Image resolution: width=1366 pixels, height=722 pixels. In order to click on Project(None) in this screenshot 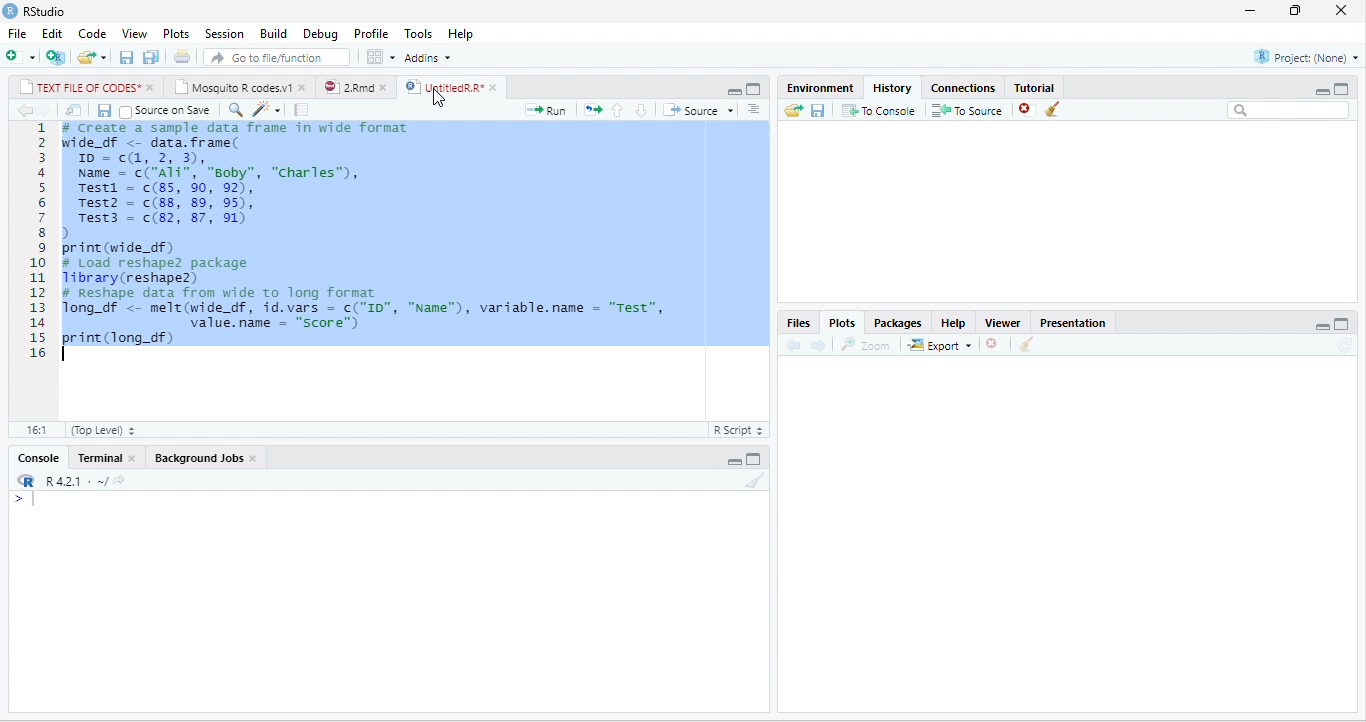, I will do `click(1306, 57)`.